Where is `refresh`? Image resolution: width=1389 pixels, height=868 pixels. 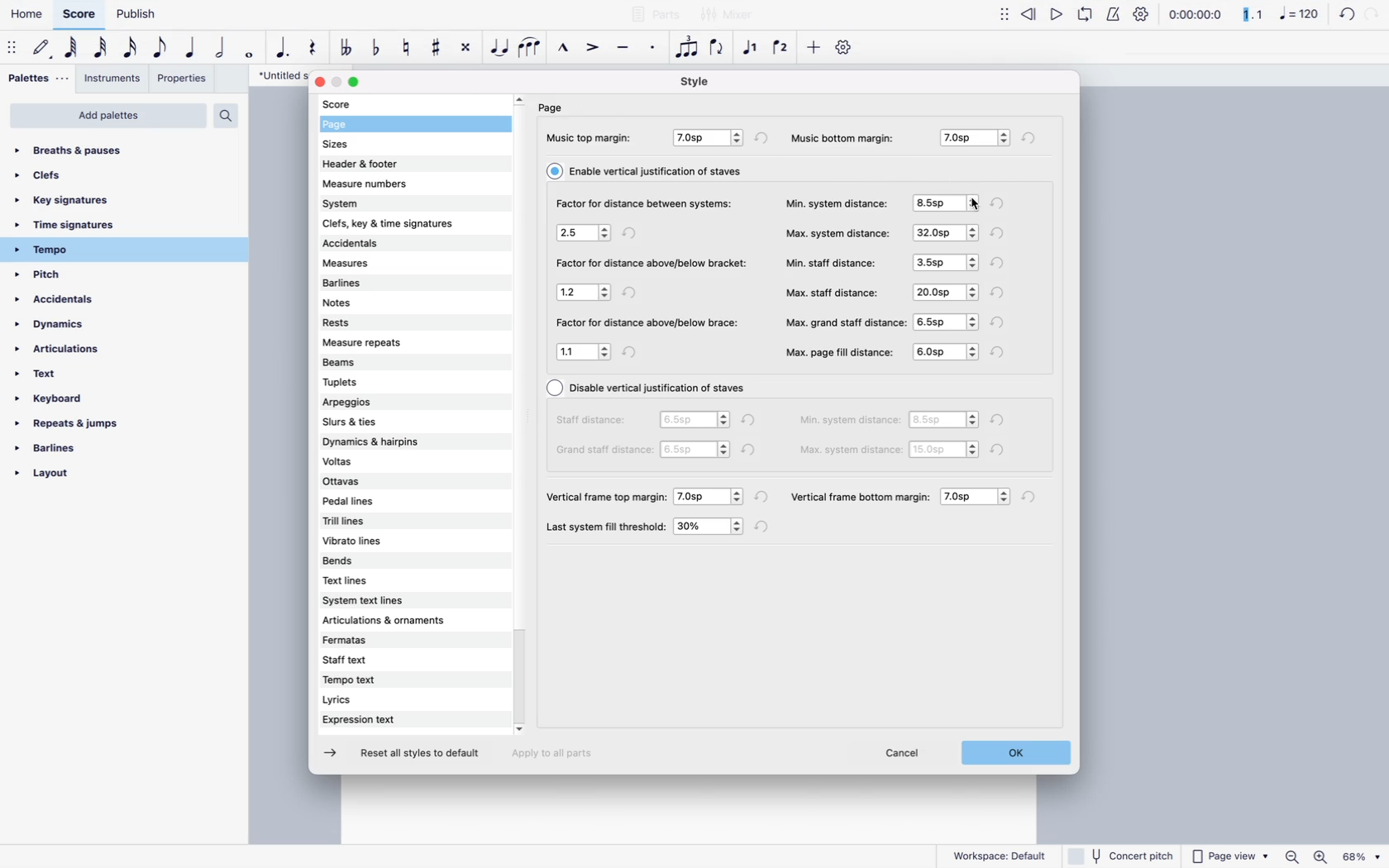
refresh is located at coordinates (1004, 450).